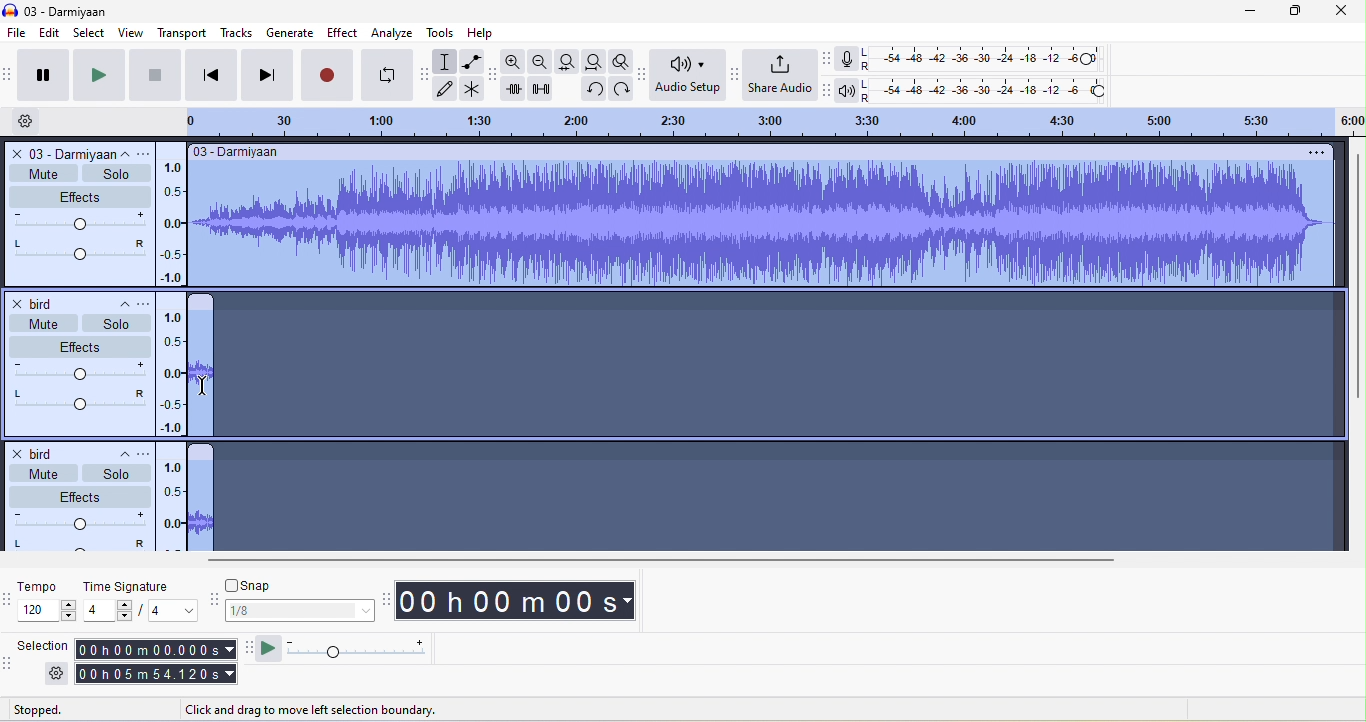 The height and width of the screenshot is (722, 1366). I want to click on effect, so click(78, 198).